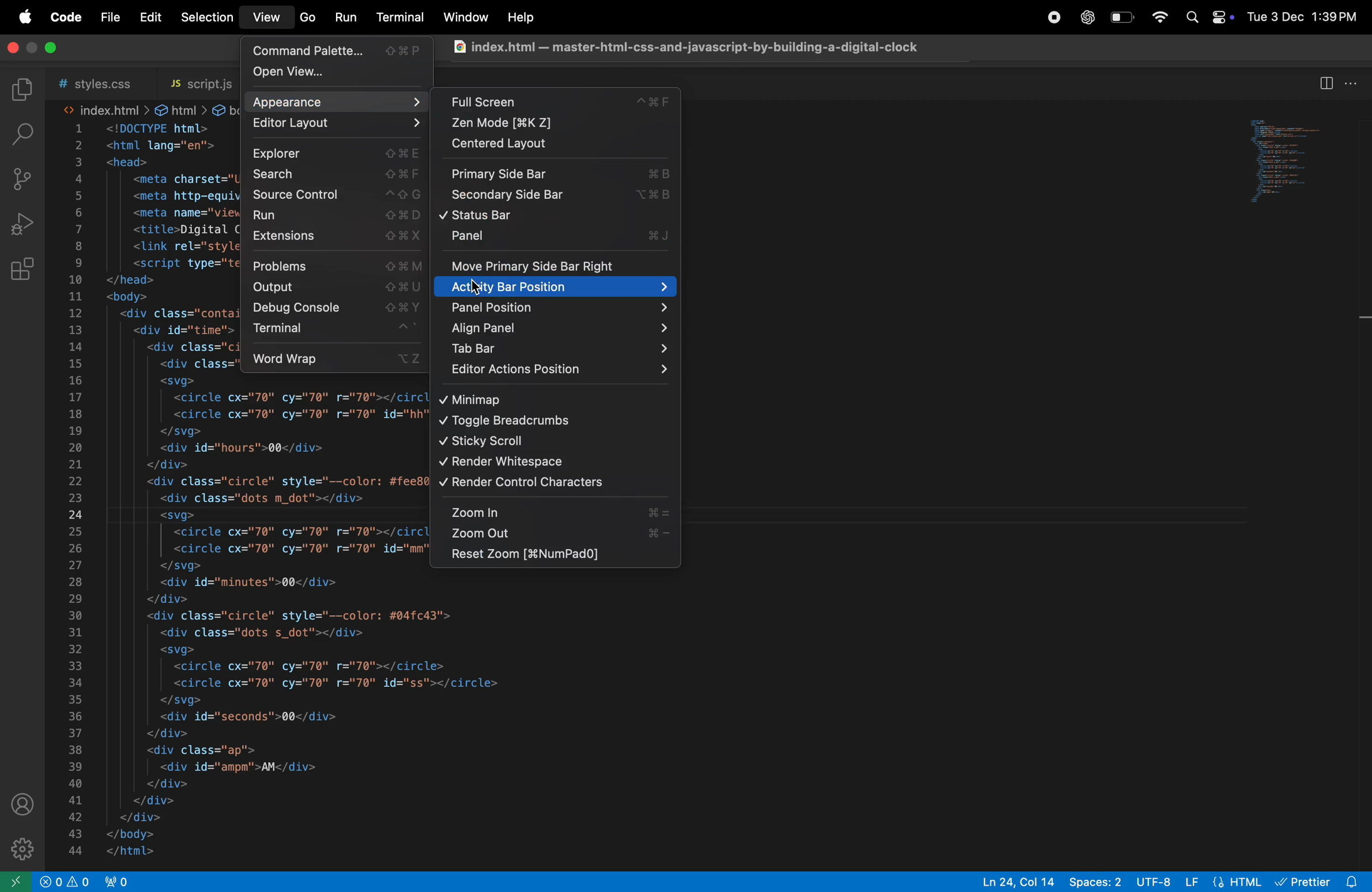 The image size is (1372, 892). What do you see at coordinates (557, 175) in the screenshot?
I see `primary side bar` at bounding box center [557, 175].